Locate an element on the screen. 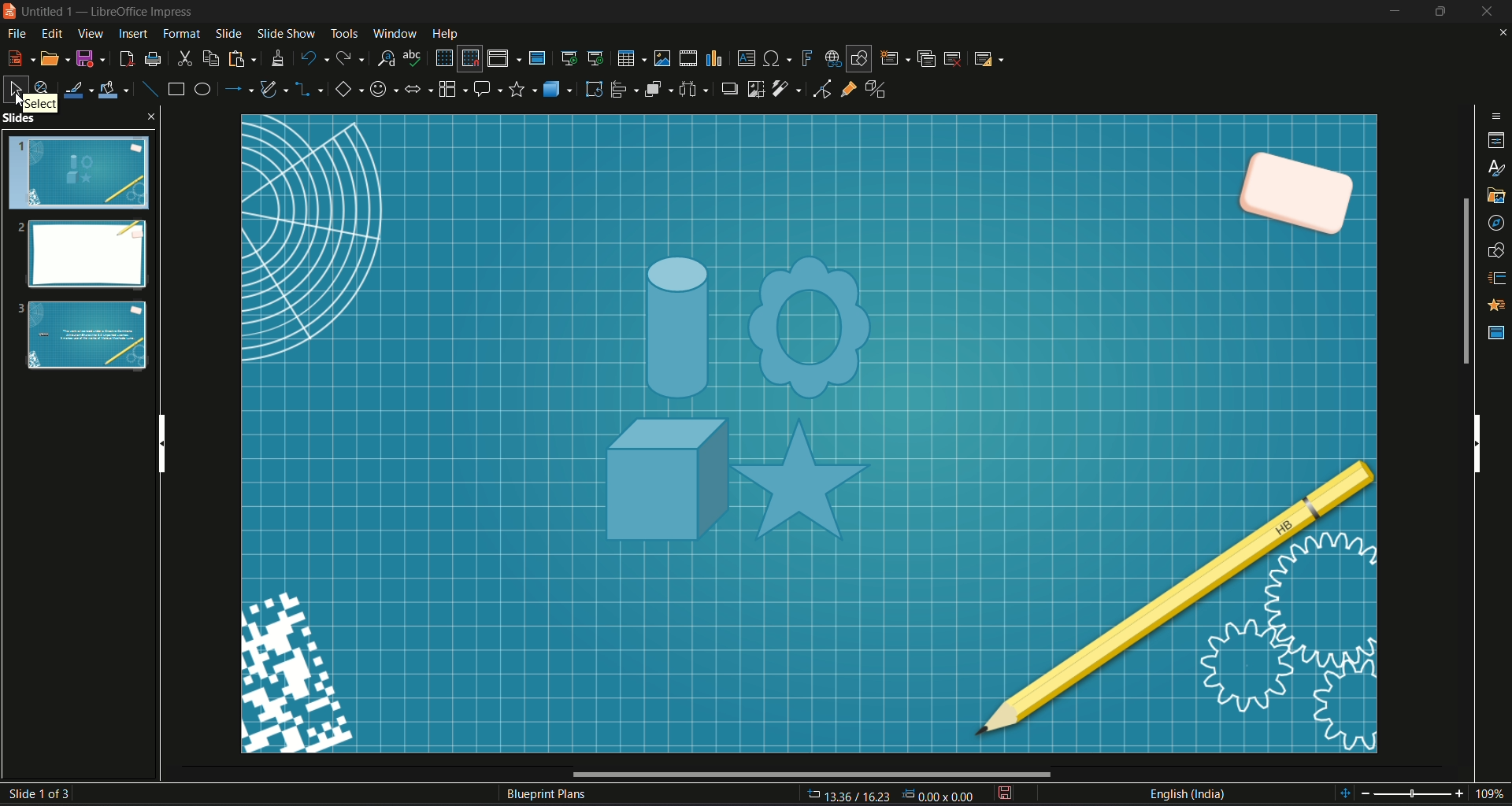 The width and height of the screenshot is (1512, 806). insert hyperlink is located at coordinates (832, 58).